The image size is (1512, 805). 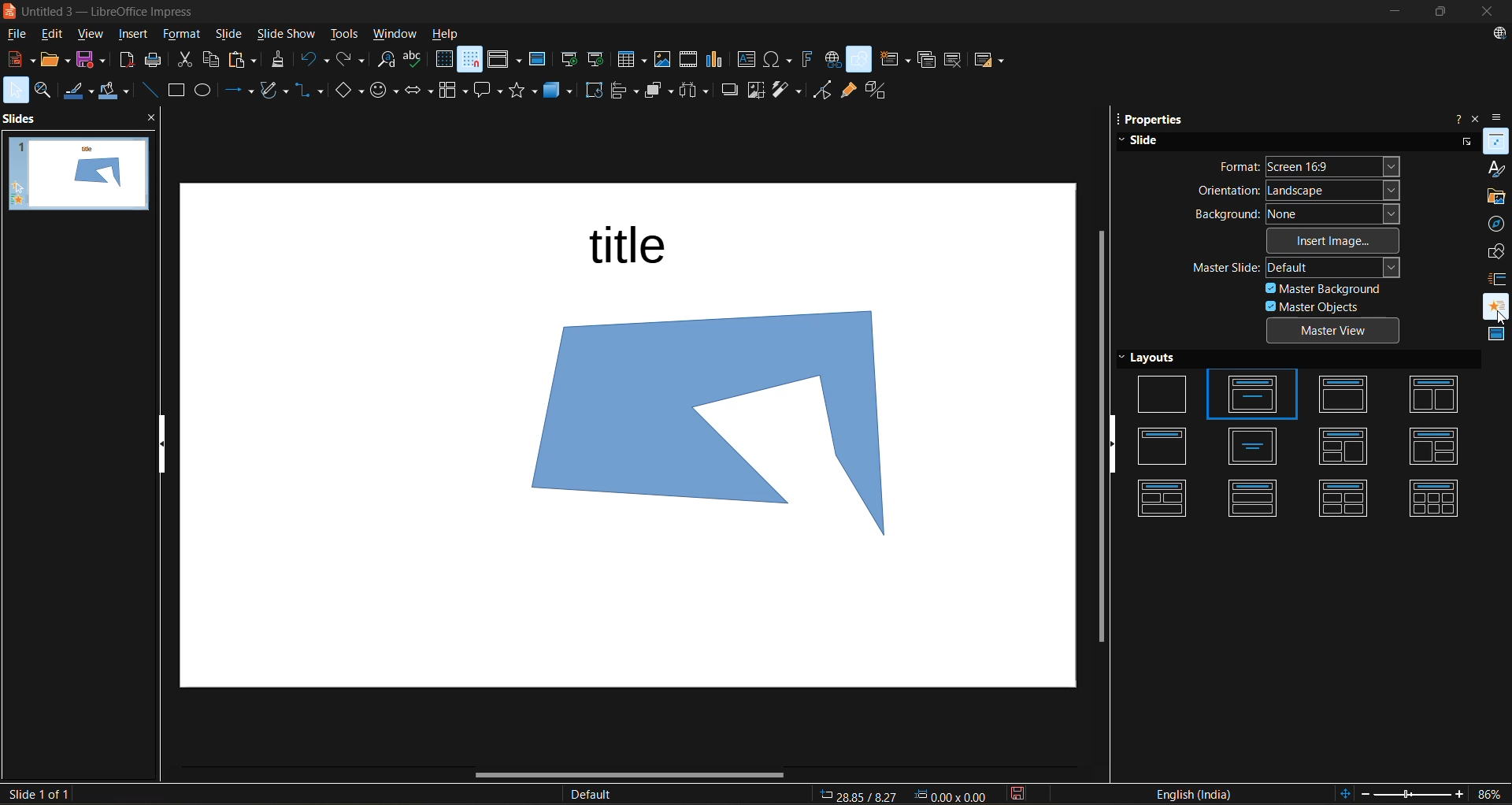 What do you see at coordinates (632, 244) in the screenshot?
I see `title` at bounding box center [632, 244].